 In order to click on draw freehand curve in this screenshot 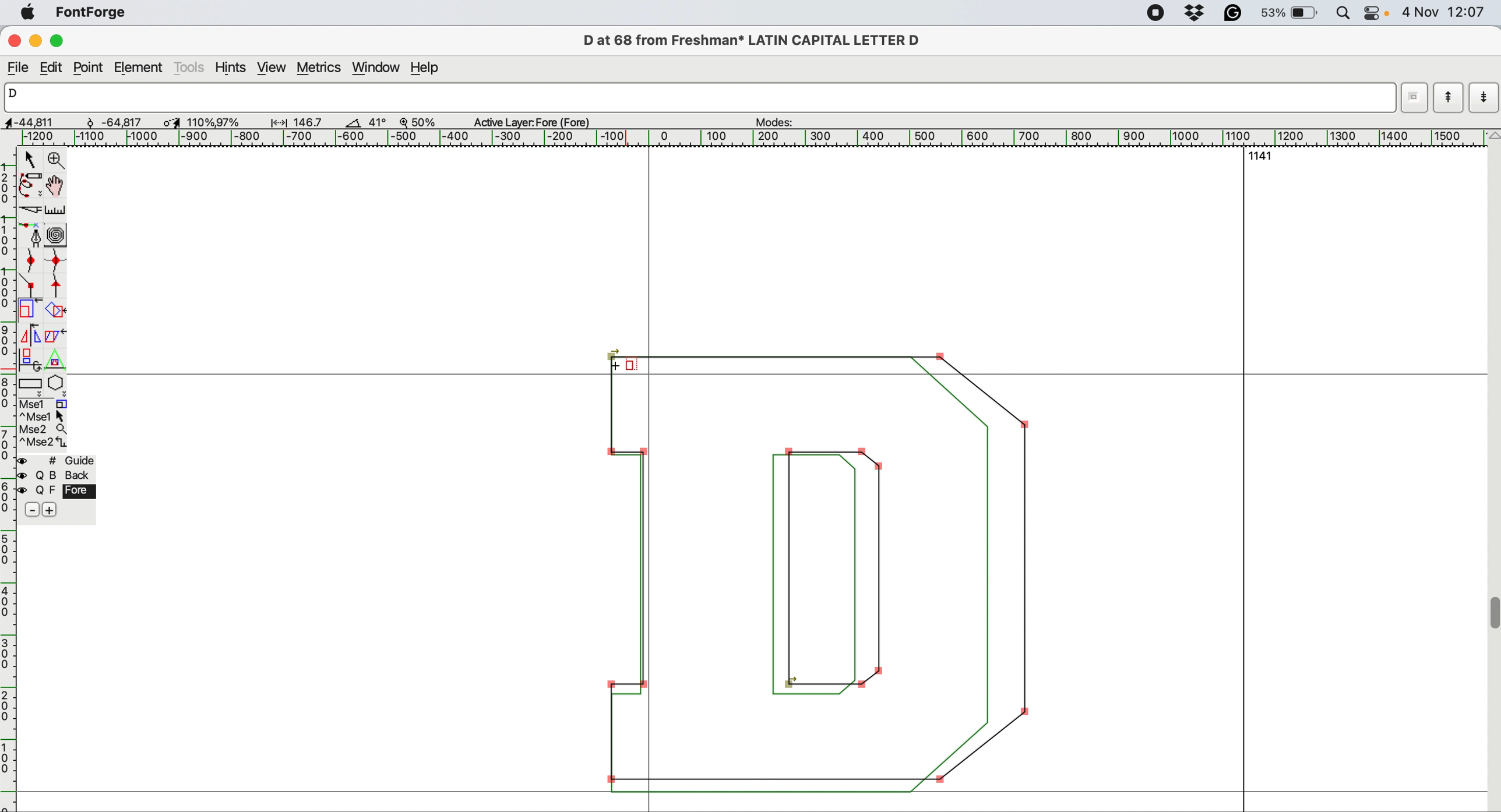, I will do `click(30, 185)`.